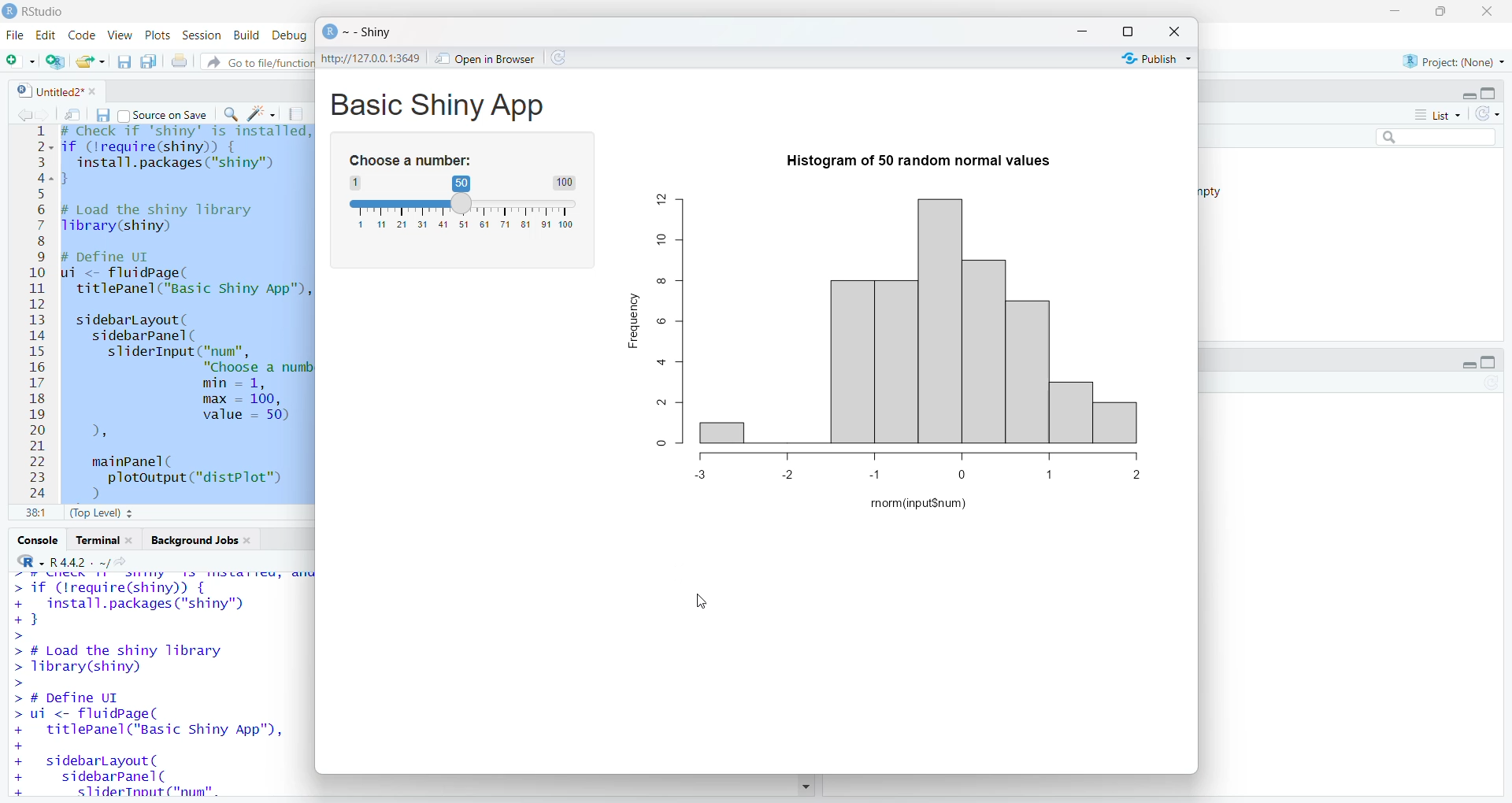 This screenshot has width=1512, height=803. What do you see at coordinates (170, 218) in the screenshot?
I see `# Load the shiny library library (shiny)` at bounding box center [170, 218].